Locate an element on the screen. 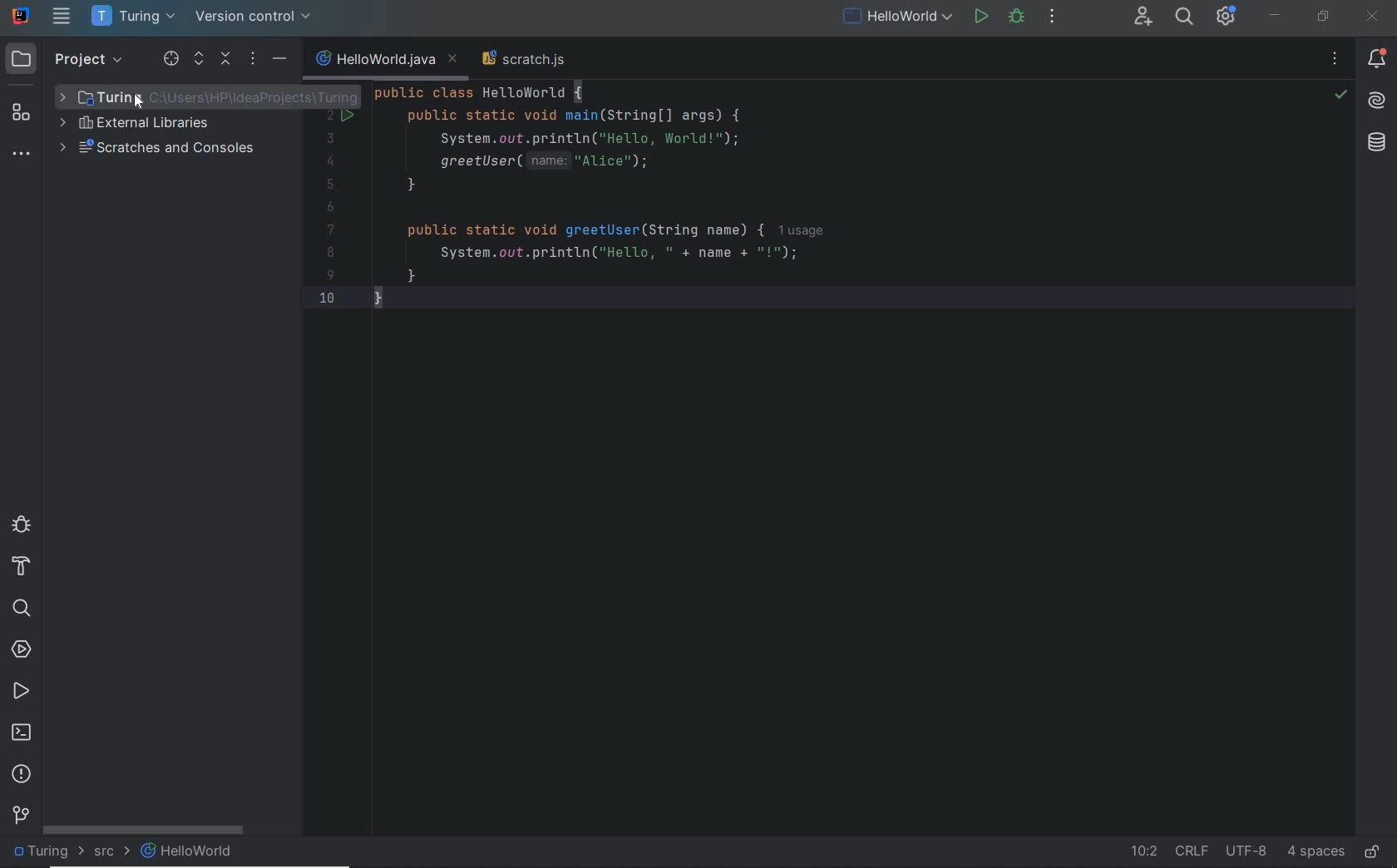 Image resolution: width=1397 pixels, height=868 pixels. file name is located at coordinates (898, 18).